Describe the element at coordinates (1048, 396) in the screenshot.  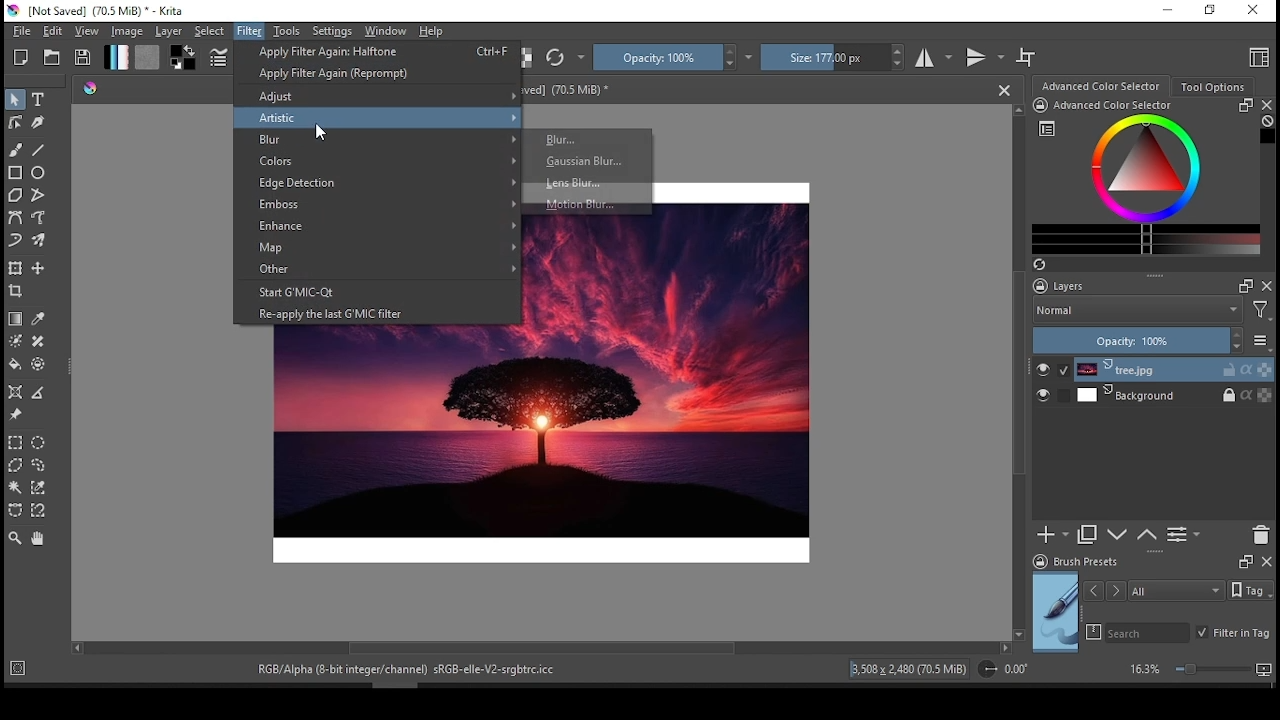
I see `layer visibility on/off` at that location.